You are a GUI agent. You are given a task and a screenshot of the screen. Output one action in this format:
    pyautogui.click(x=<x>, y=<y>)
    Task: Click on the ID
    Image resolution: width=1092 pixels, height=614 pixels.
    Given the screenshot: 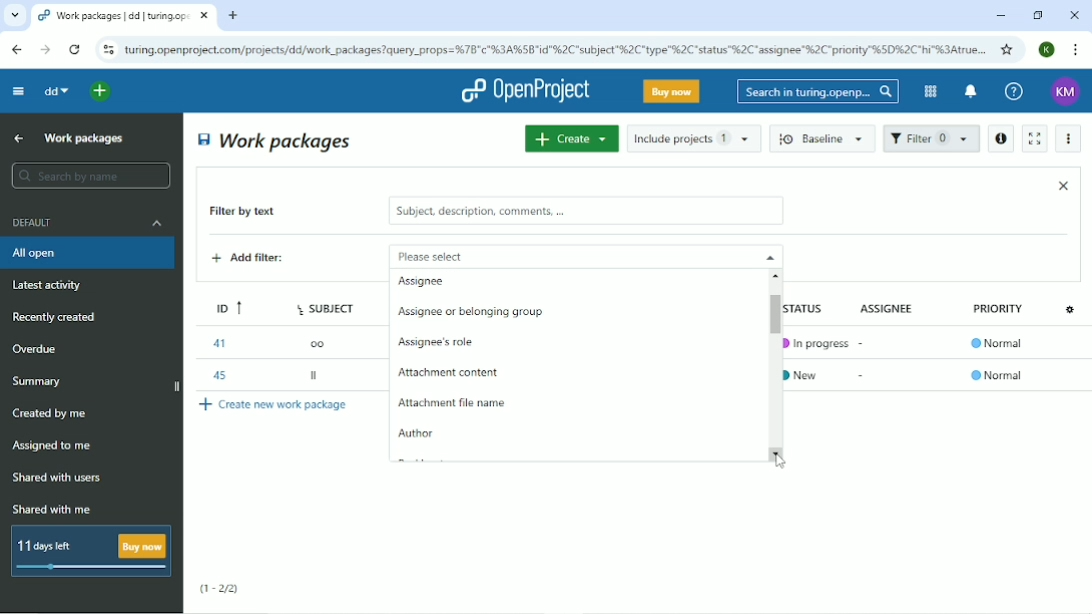 What is the action you would take?
    pyautogui.click(x=223, y=305)
    